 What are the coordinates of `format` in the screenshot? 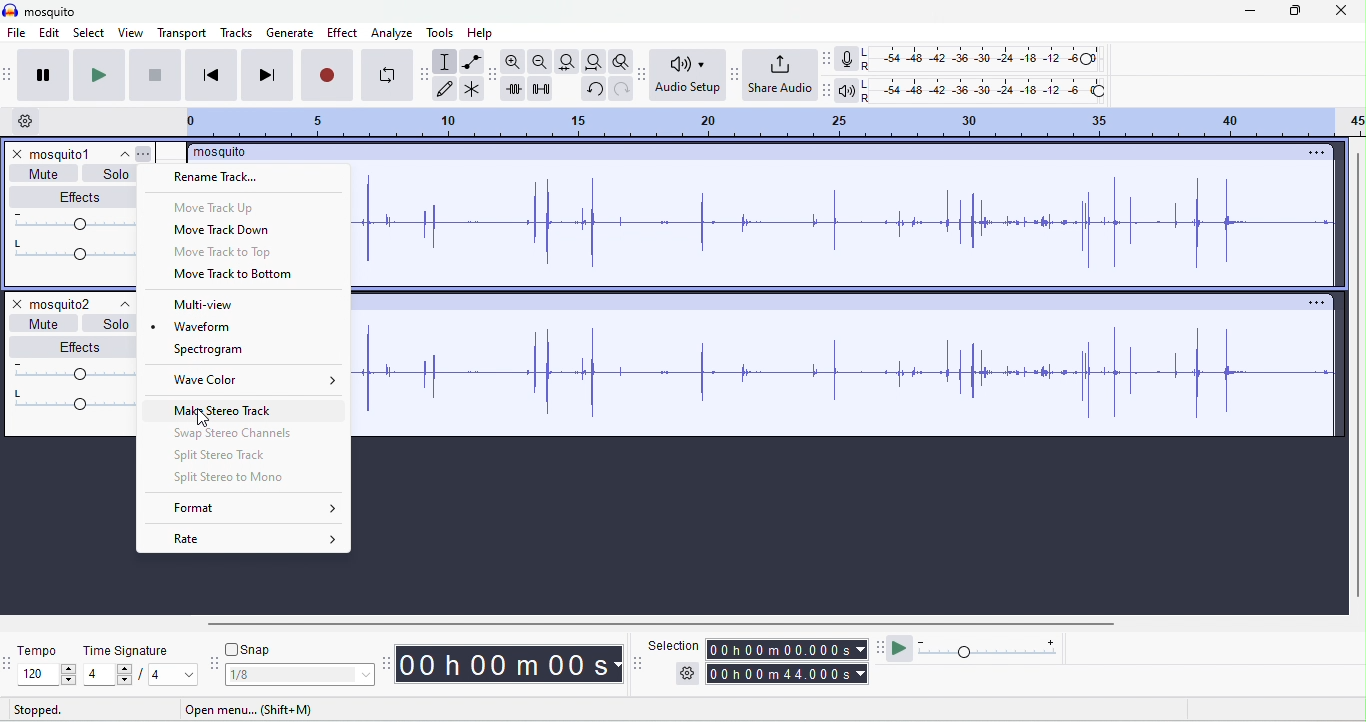 It's located at (248, 510).